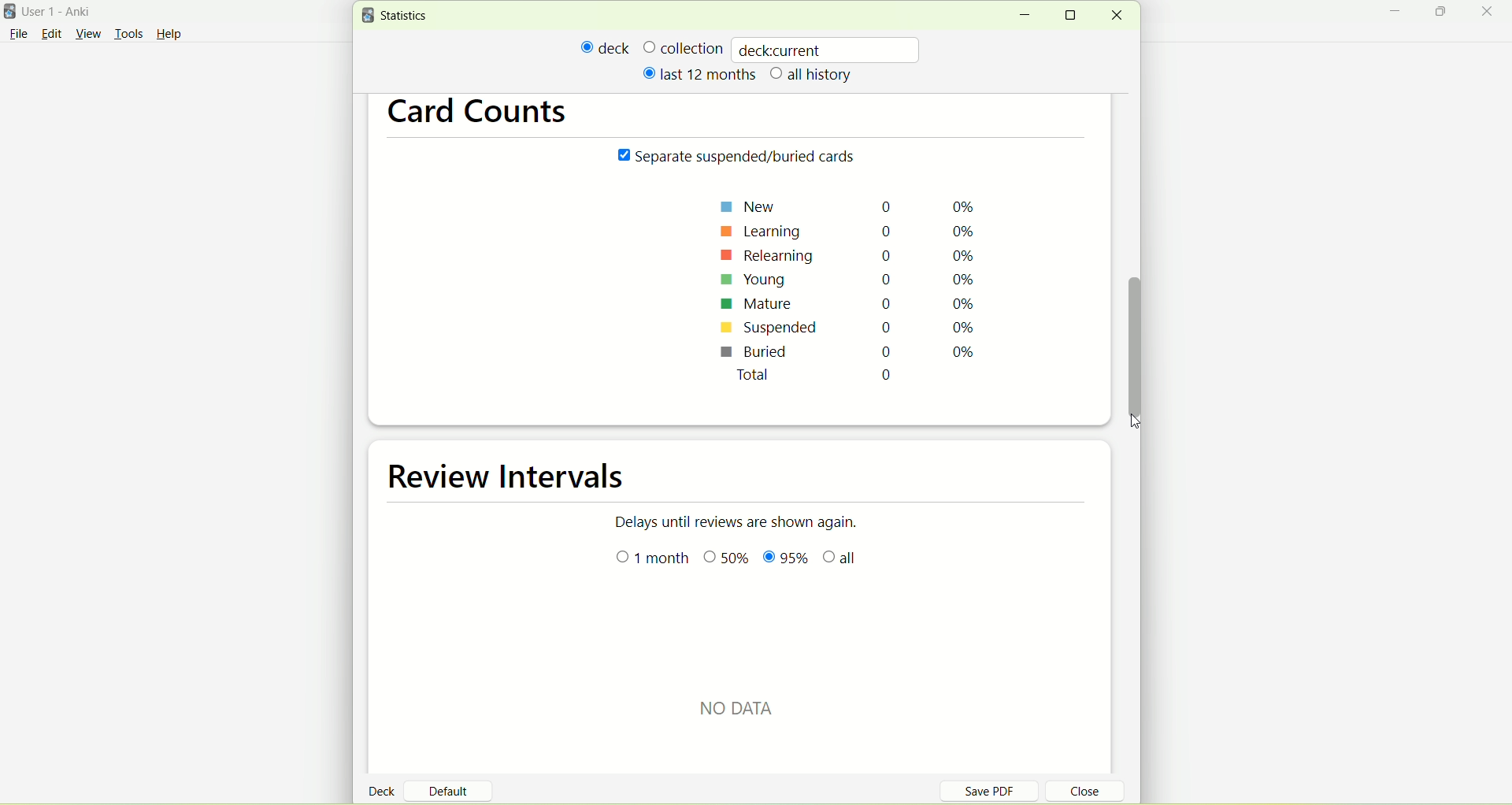  Describe the element at coordinates (606, 47) in the screenshot. I see `deck` at that location.